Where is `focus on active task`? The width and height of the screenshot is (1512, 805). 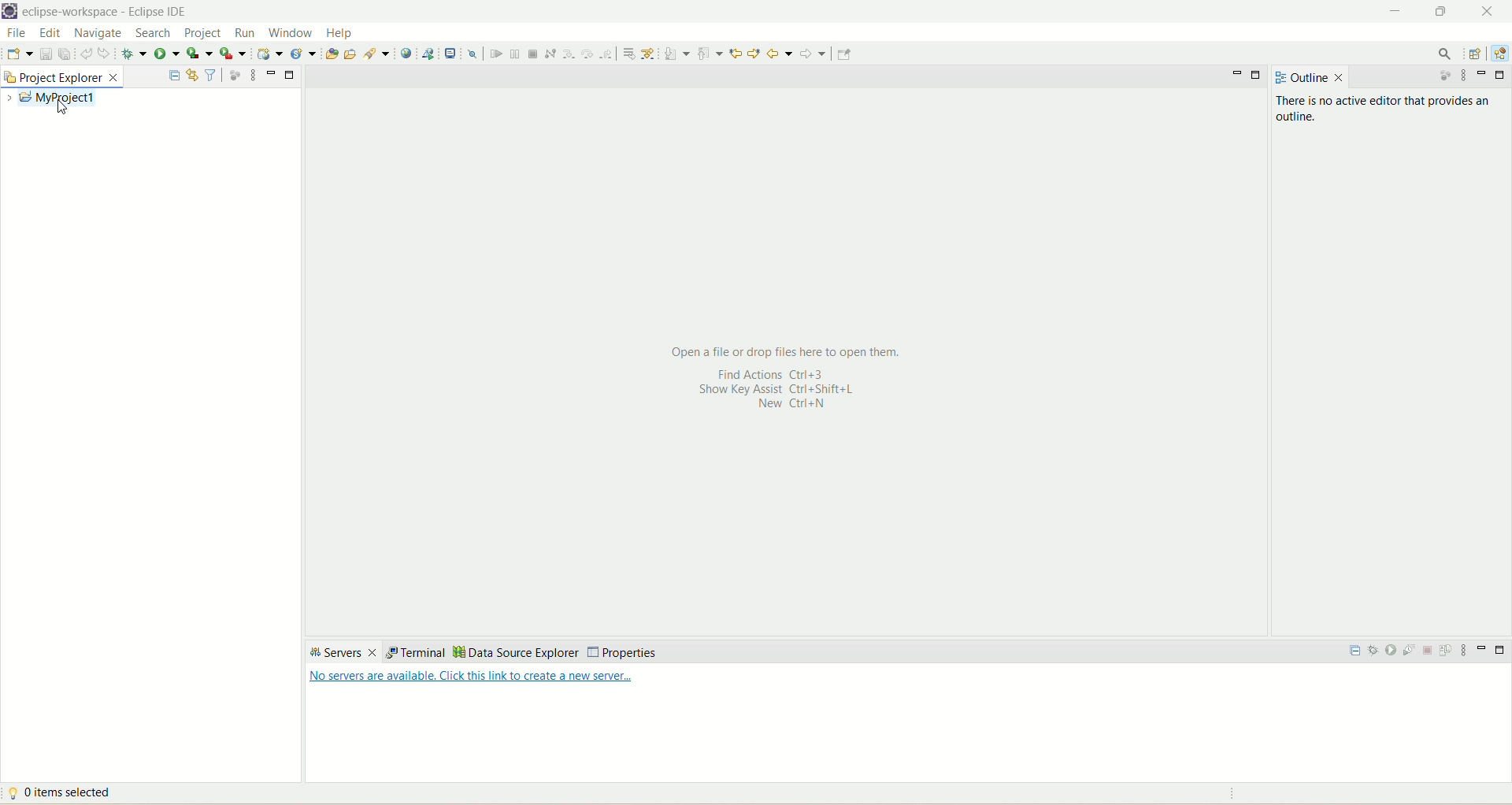 focus on active task is located at coordinates (233, 74).